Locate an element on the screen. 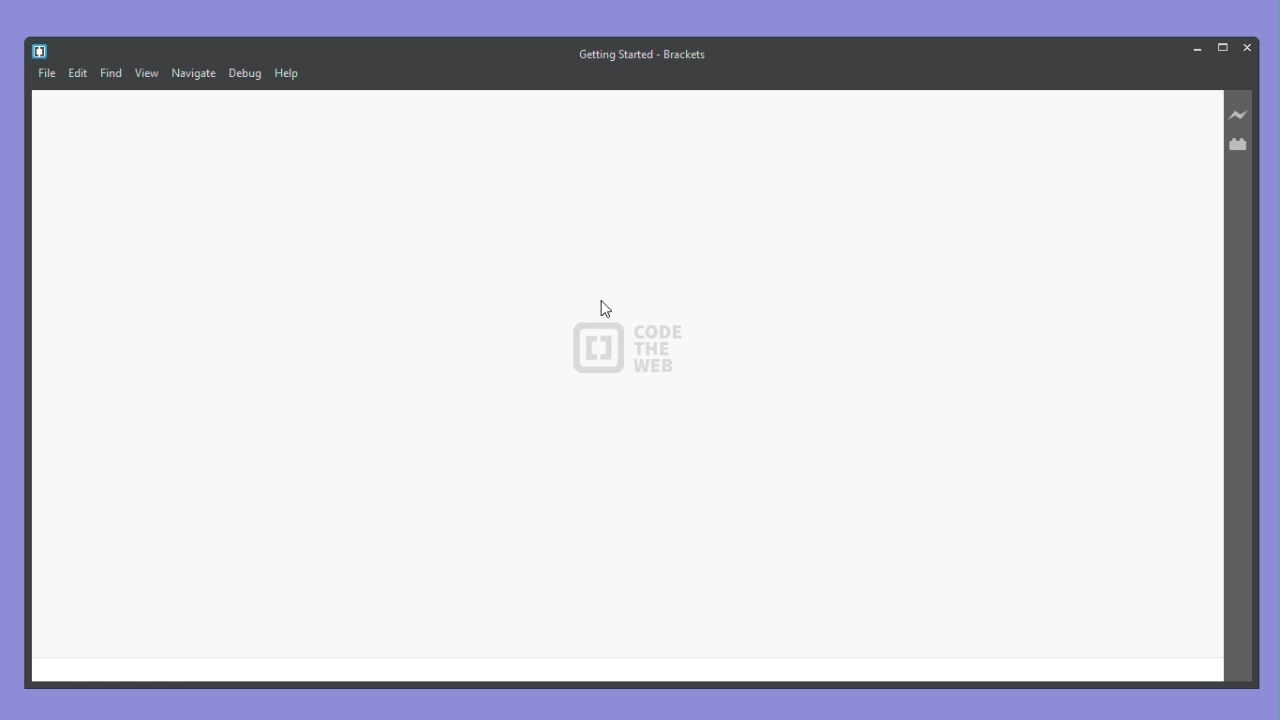  Minimise is located at coordinates (1194, 48).